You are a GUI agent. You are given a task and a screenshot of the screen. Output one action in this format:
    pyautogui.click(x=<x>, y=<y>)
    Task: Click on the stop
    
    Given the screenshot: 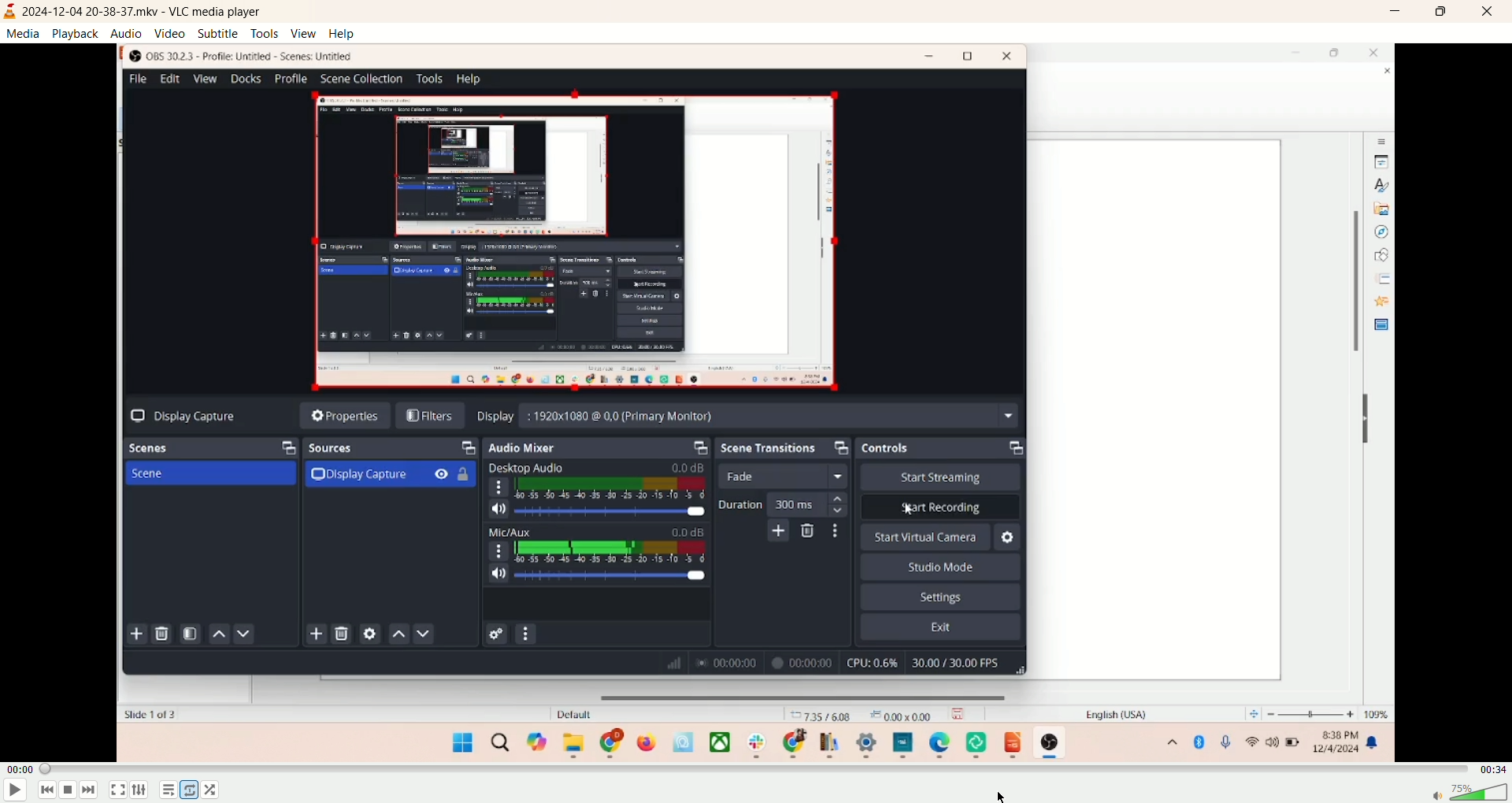 What is the action you would take?
    pyautogui.click(x=70, y=791)
    